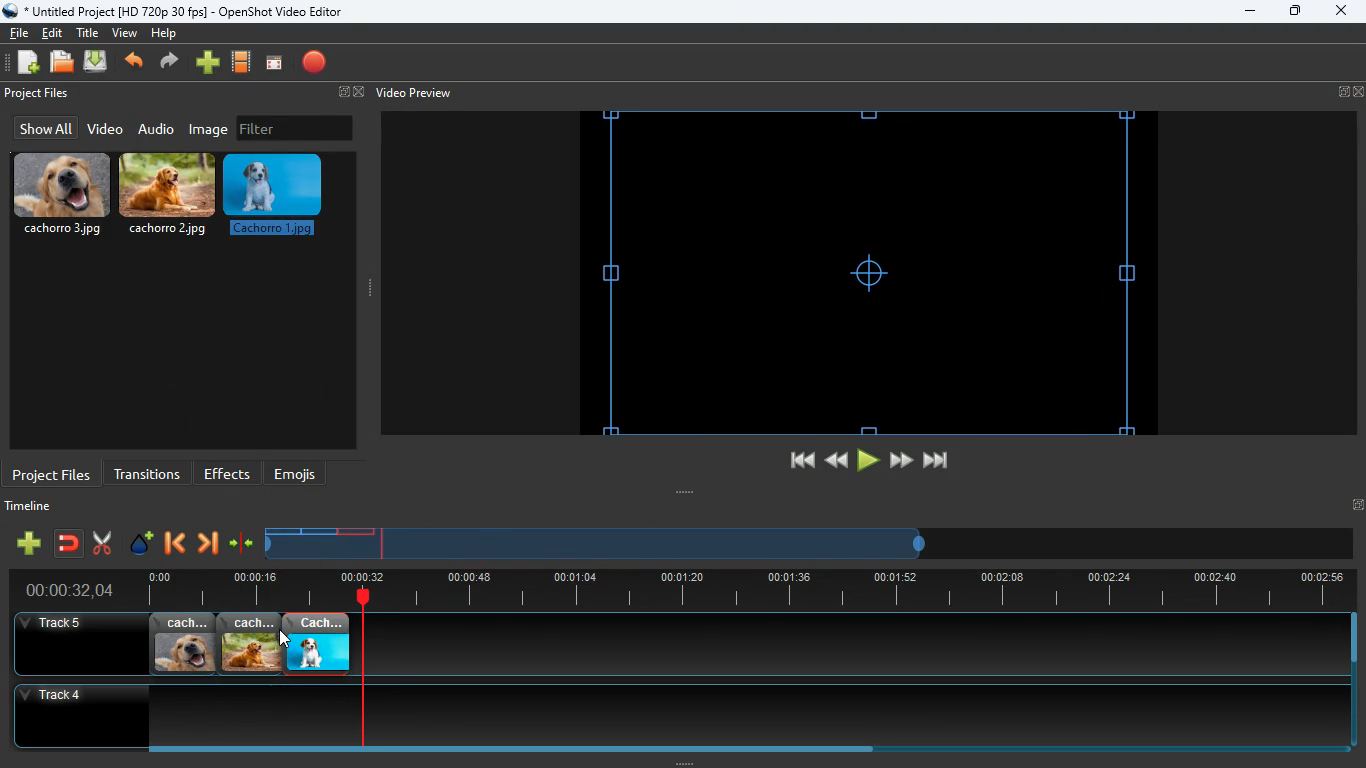 This screenshot has width=1366, height=768. Describe the element at coordinates (177, 11) in the screenshot. I see `* Untitled Project [HD 720p 30 fps] - OpenShot Video Editor` at that location.